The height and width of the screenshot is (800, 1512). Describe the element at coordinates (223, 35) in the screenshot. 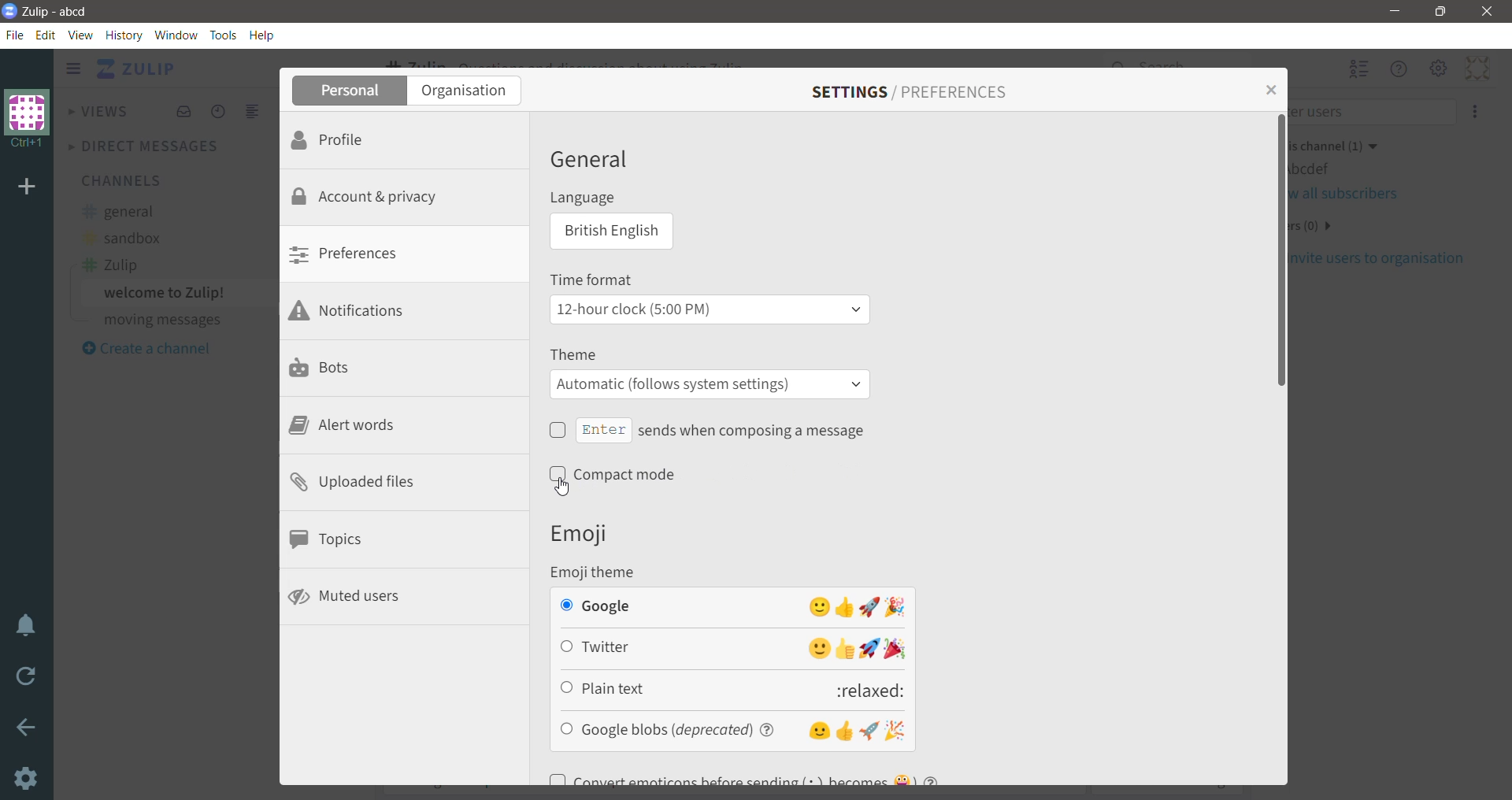

I see `Tools` at that location.